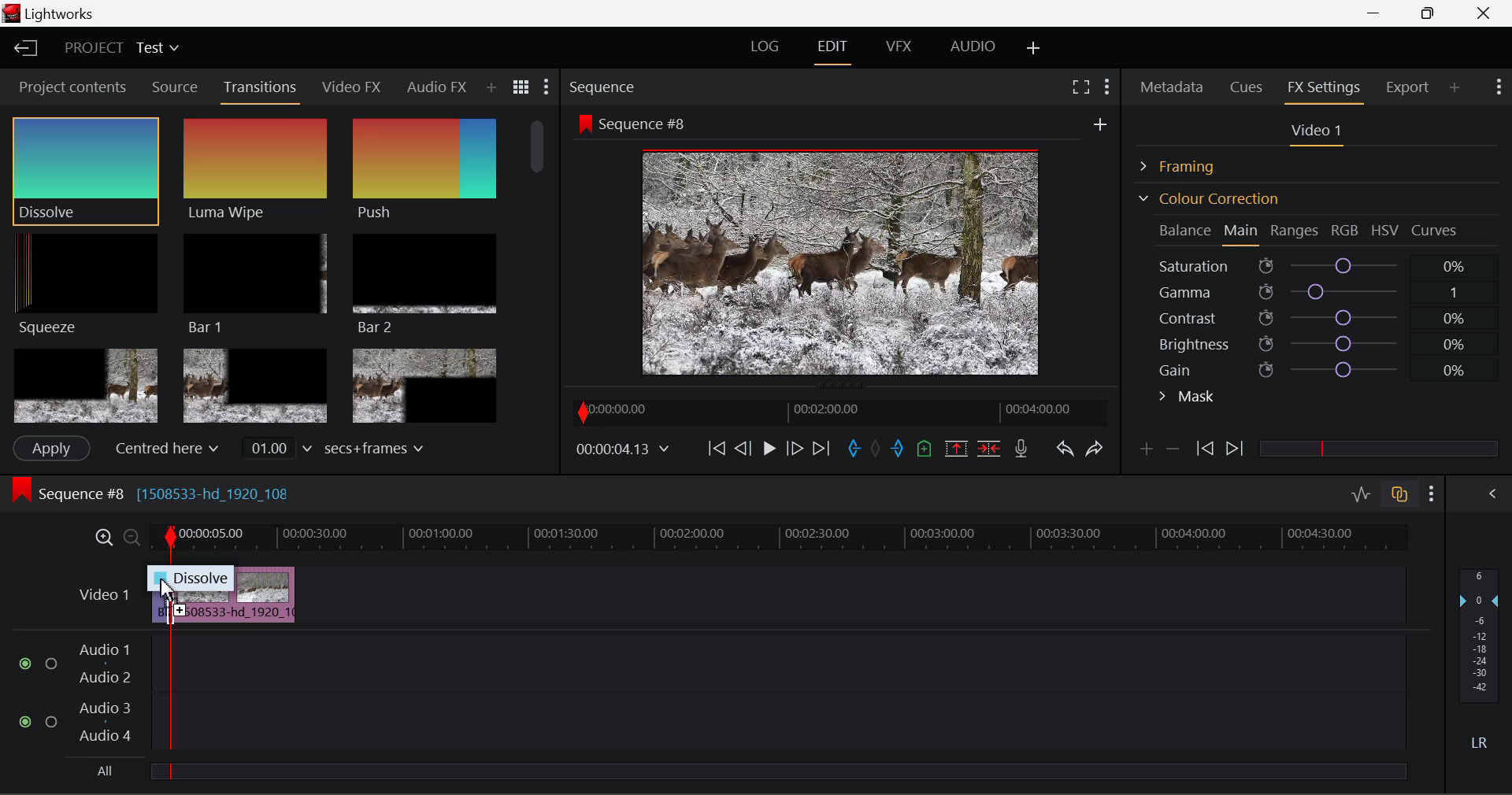  What do you see at coordinates (1187, 230) in the screenshot?
I see `Balance Section` at bounding box center [1187, 230].